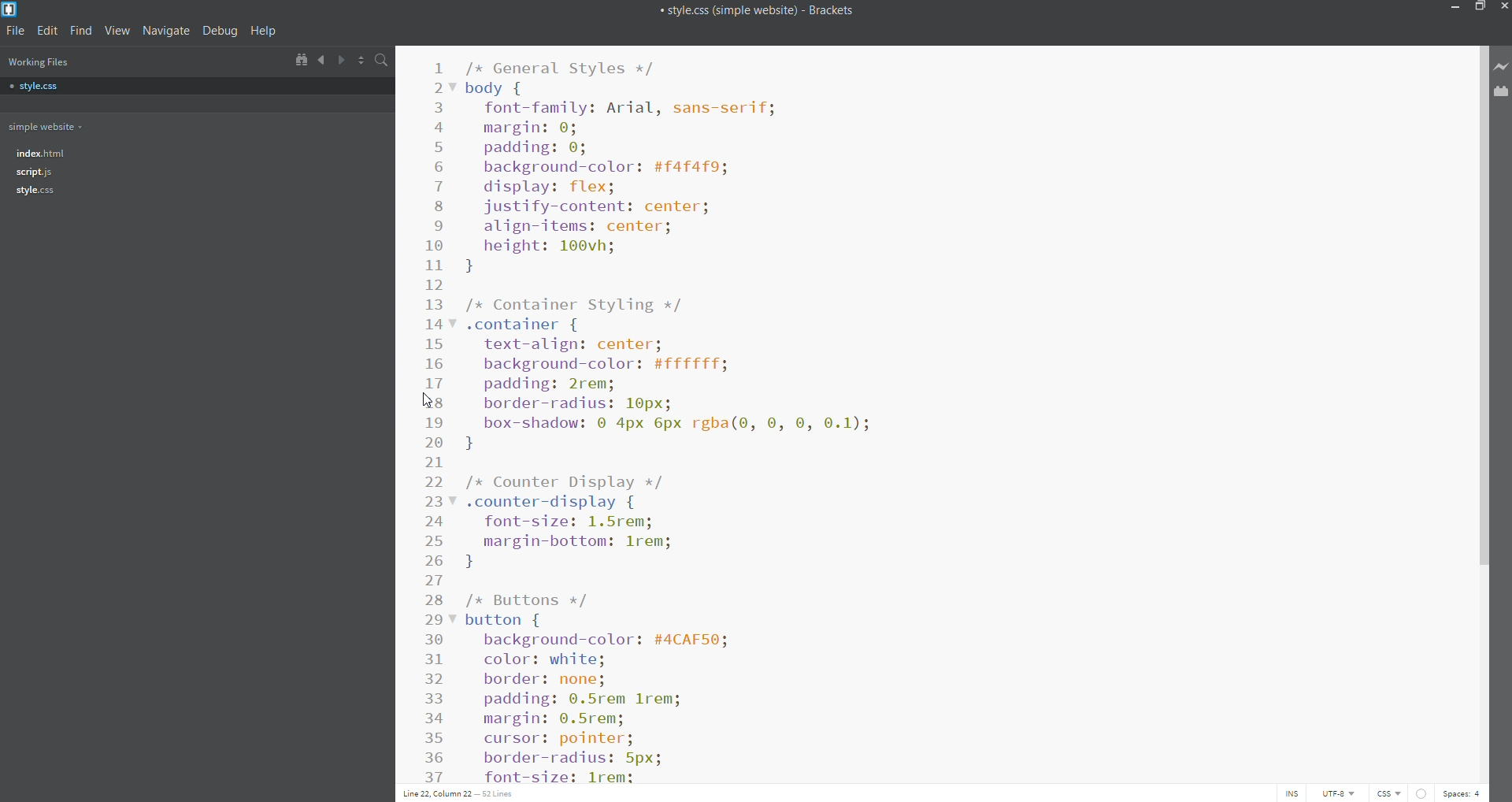 Image resolution: width=1512 pixels, height=802 pixels. What do you see at coordinates (1482, 413) in the screenshot?
I see `scroll bar` at bounding box center [1482, 413].